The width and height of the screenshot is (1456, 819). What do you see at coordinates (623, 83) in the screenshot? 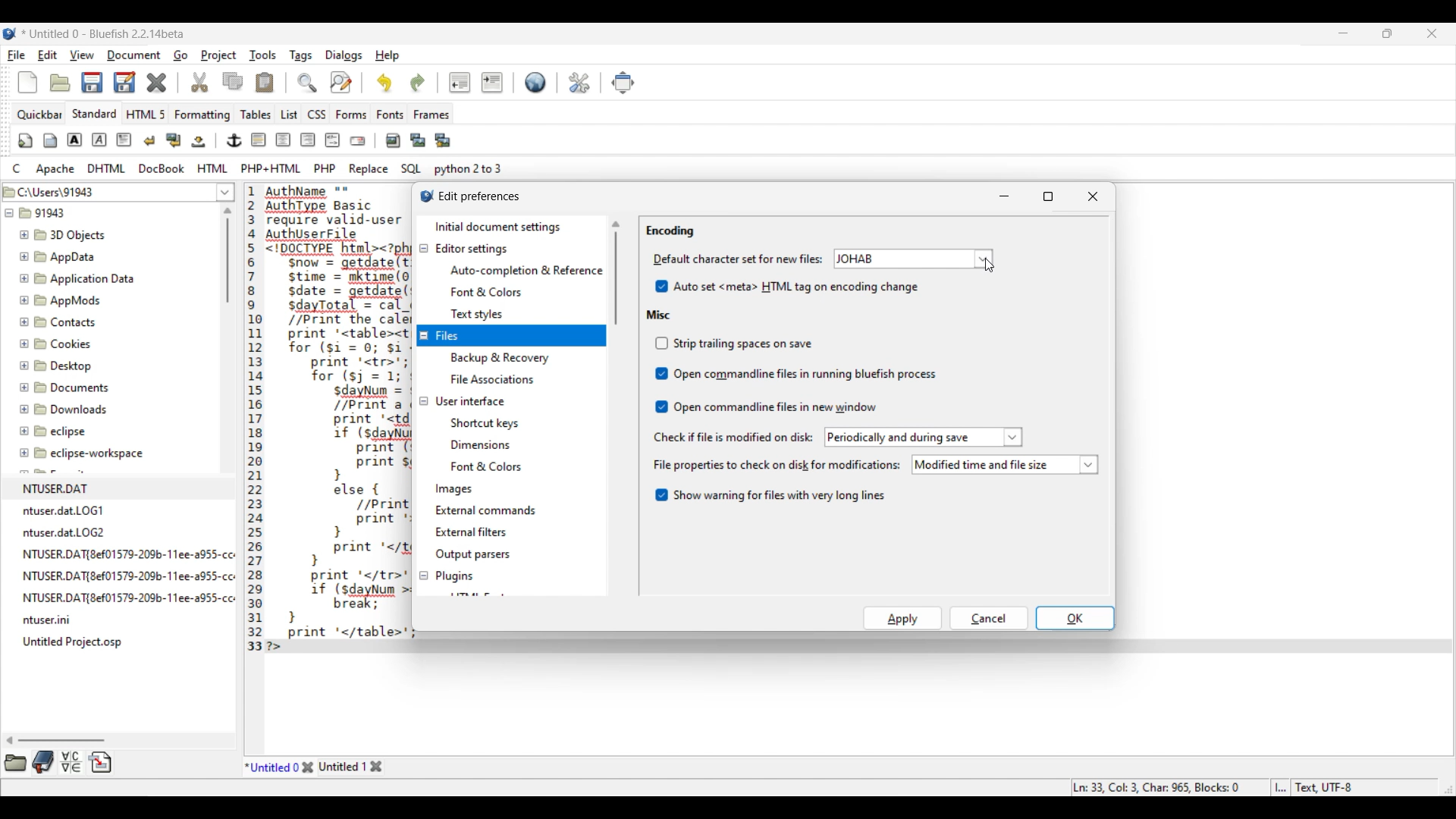
I see `Move` at bounding box center [623, 83].